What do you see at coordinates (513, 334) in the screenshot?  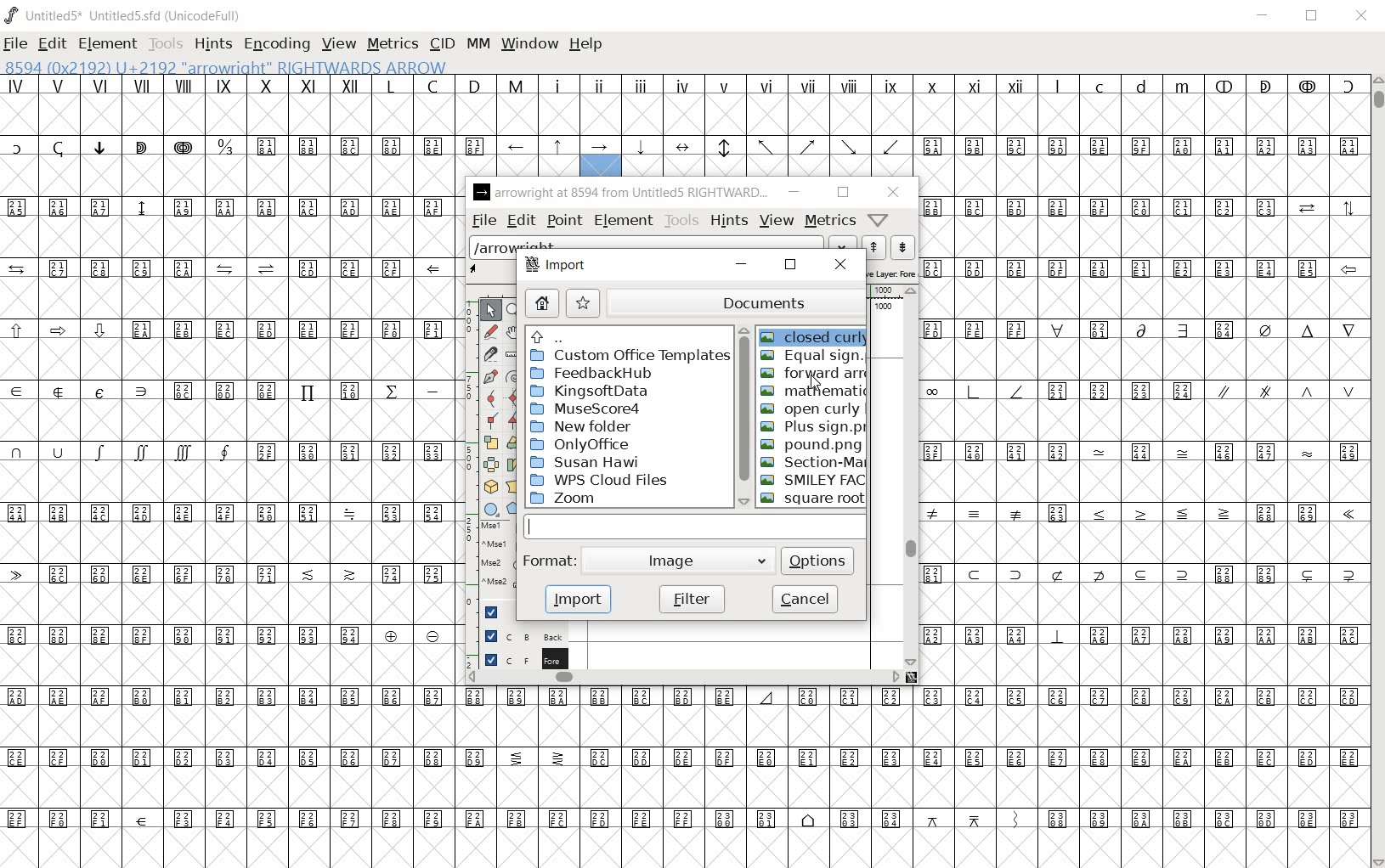 I see `scroll by hand` at bounding box center [513, 334].